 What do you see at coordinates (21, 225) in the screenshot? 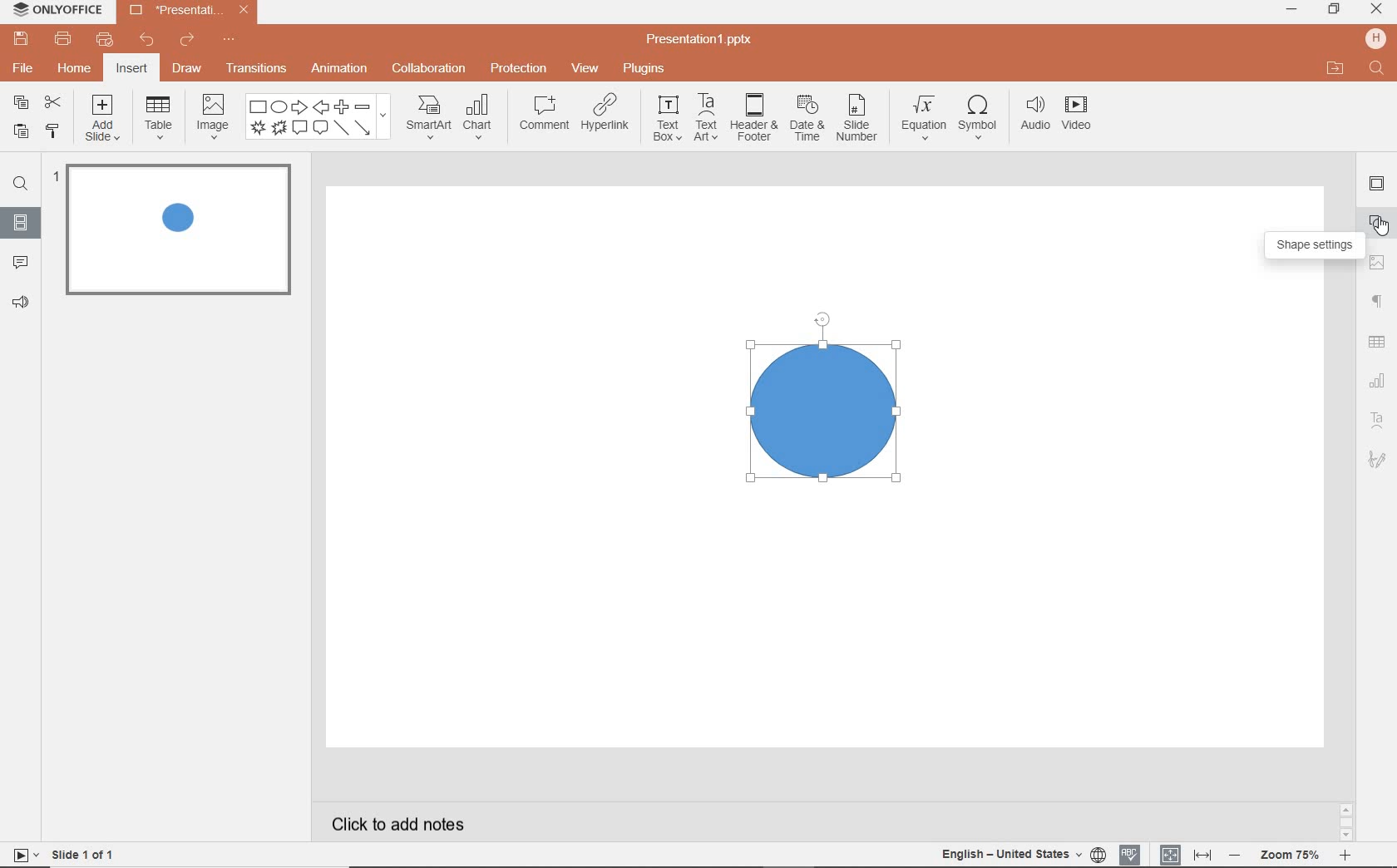
I see `slides` at bounding box center [21, 225].